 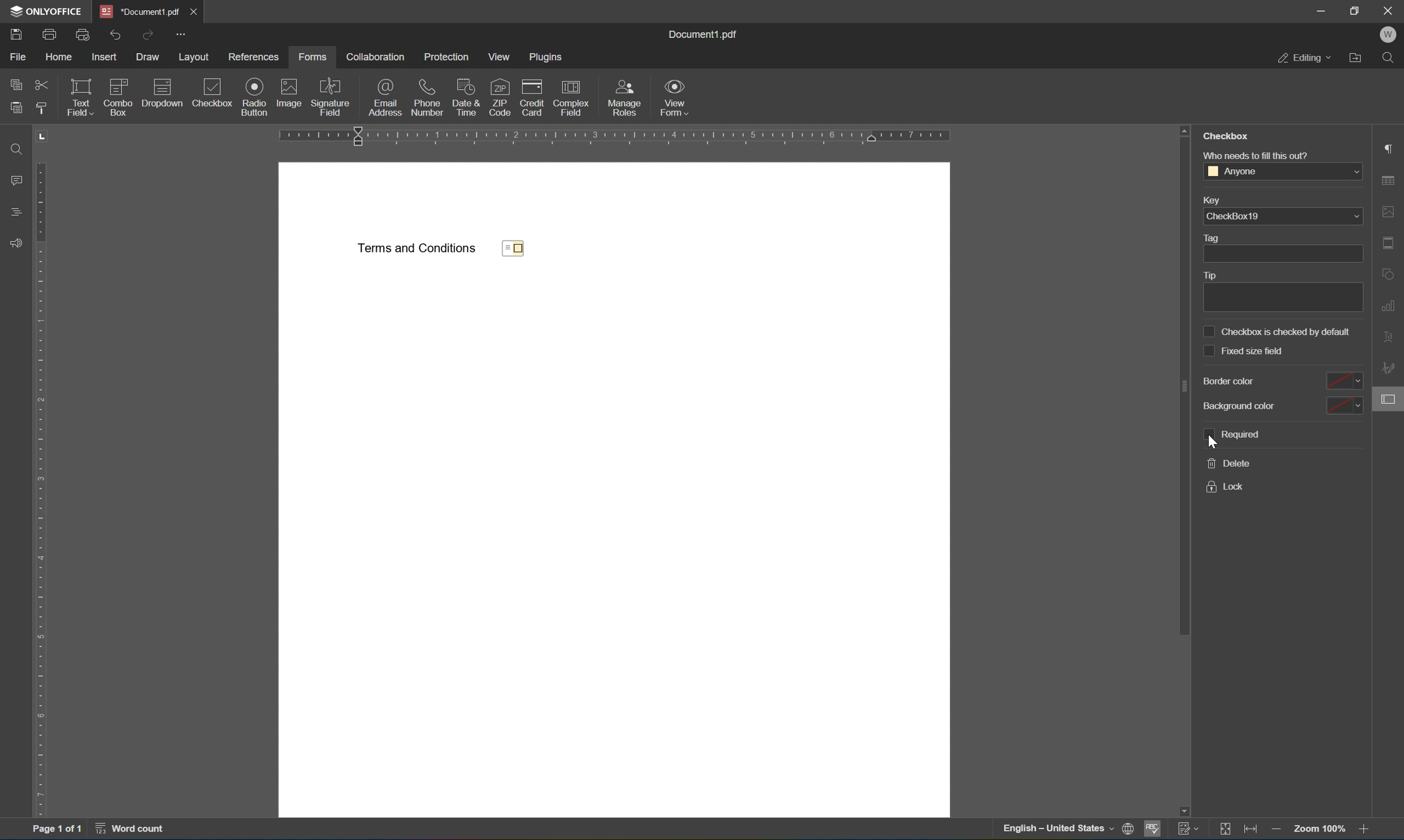 I want to click on layout, so click(x=194, y=57).